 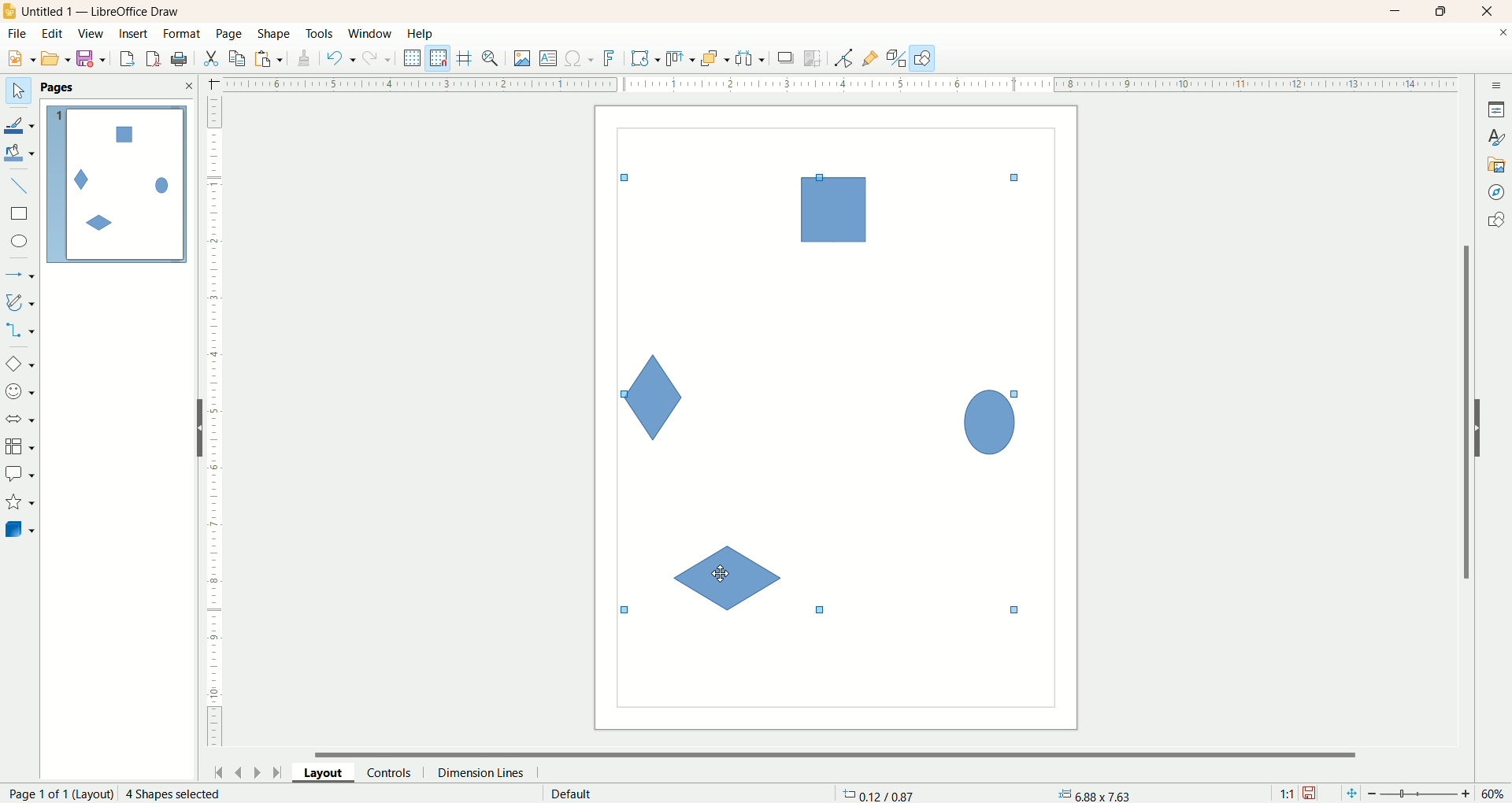 What do you see at coordinates (53, 35) in the screenshot?
I see `edit` at bounding box center [53, 35].